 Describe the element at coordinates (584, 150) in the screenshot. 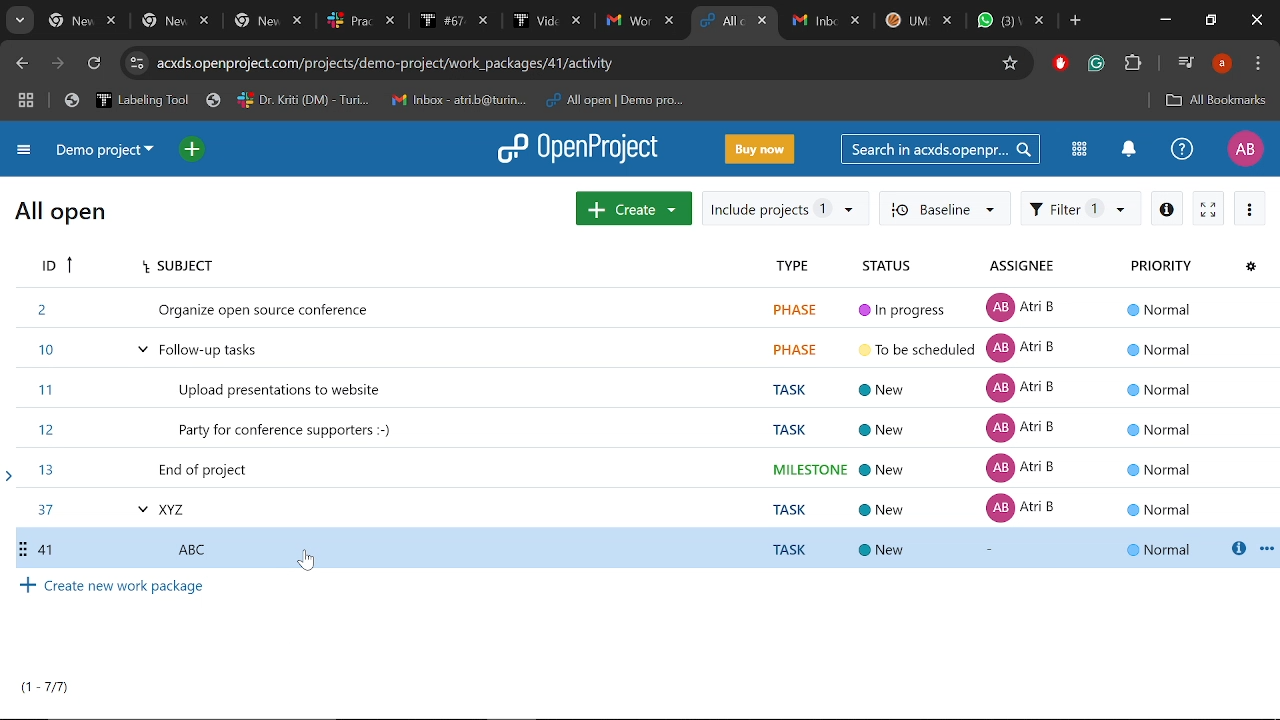

I see `Open project logo` at that location.